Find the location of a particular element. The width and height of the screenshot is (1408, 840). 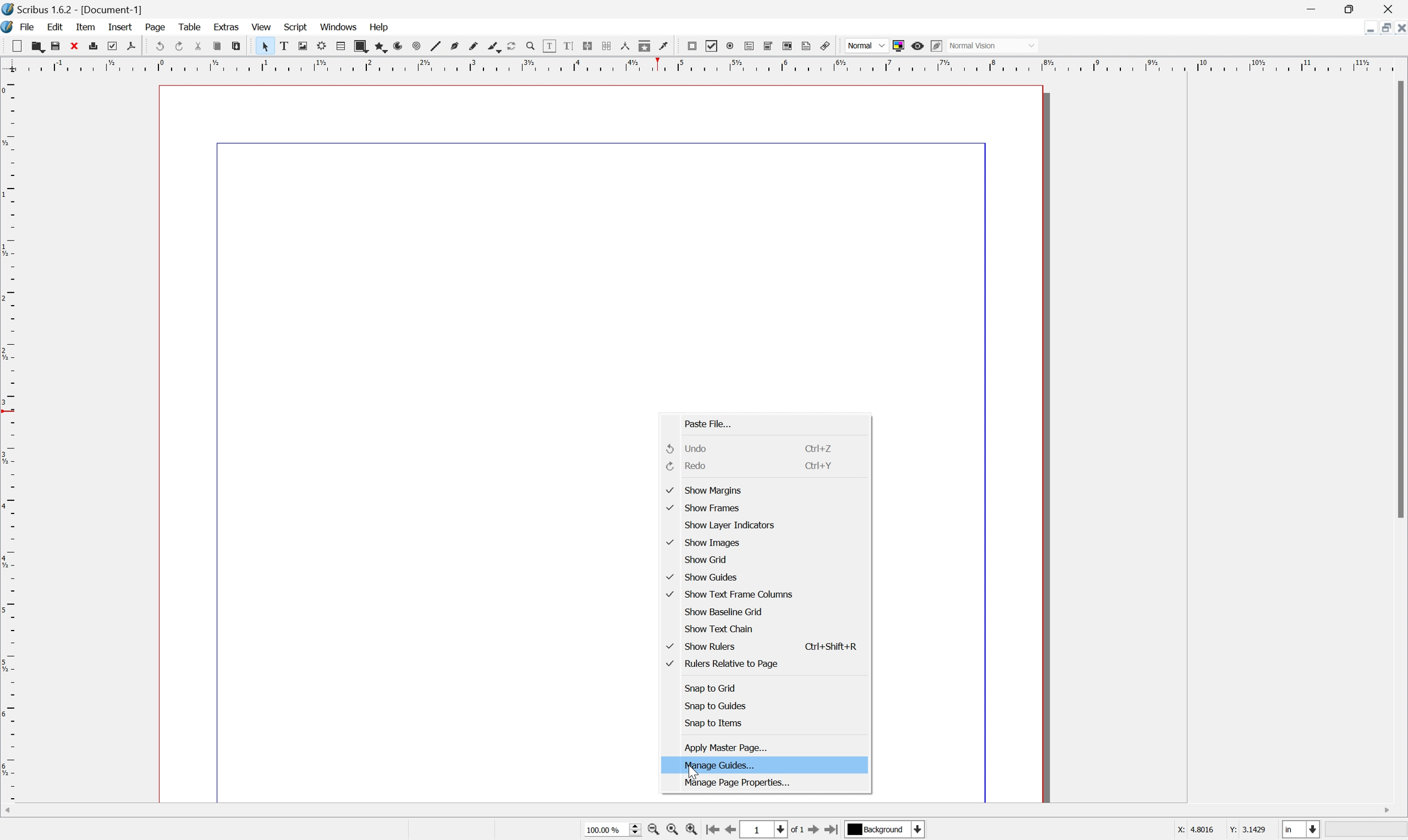

restore down is located at coordinates (1381, 28).